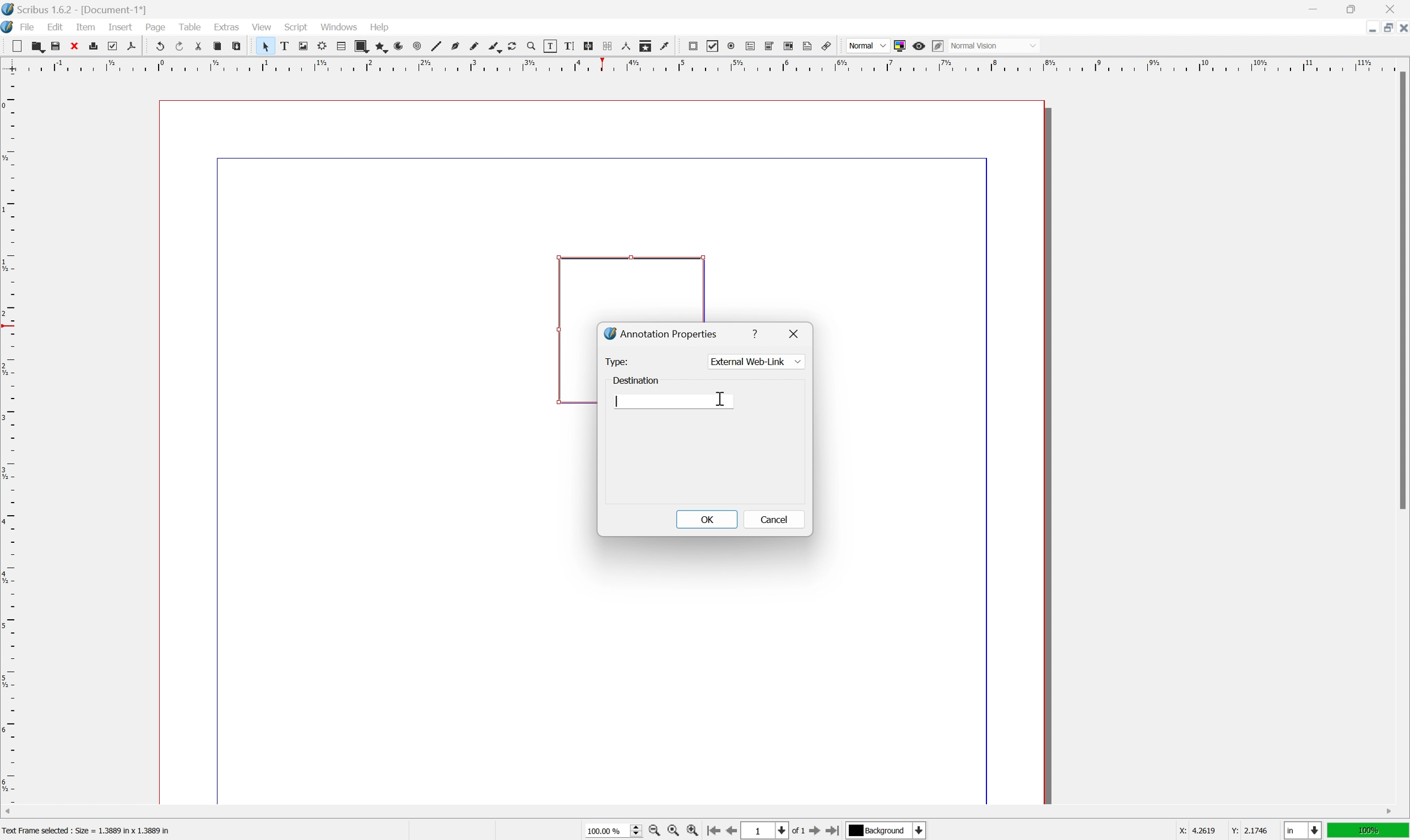 The width and height of the screenshot is (1410, 840). What do you see at coordinates (608, 46) in the screenshot?
I see `unlink text frames` at bounding box center [608, 46].